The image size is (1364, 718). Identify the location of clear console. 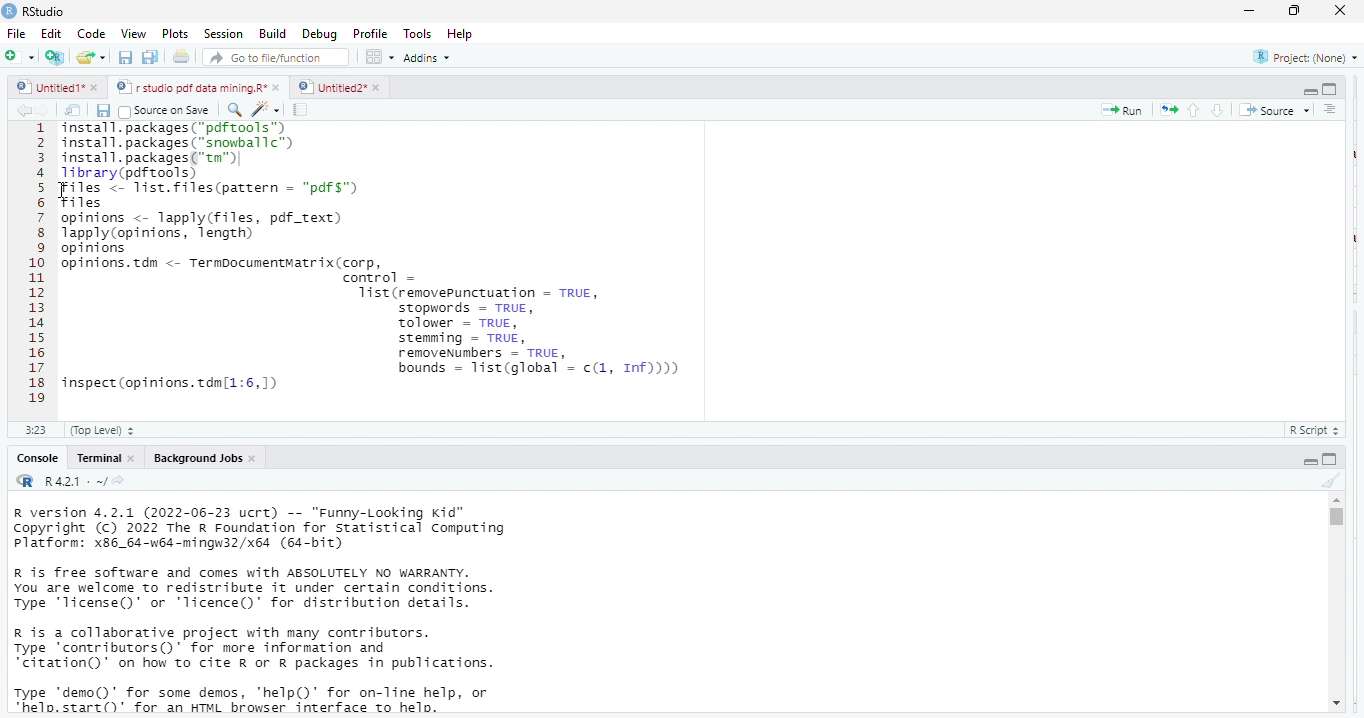
(1330, 478).